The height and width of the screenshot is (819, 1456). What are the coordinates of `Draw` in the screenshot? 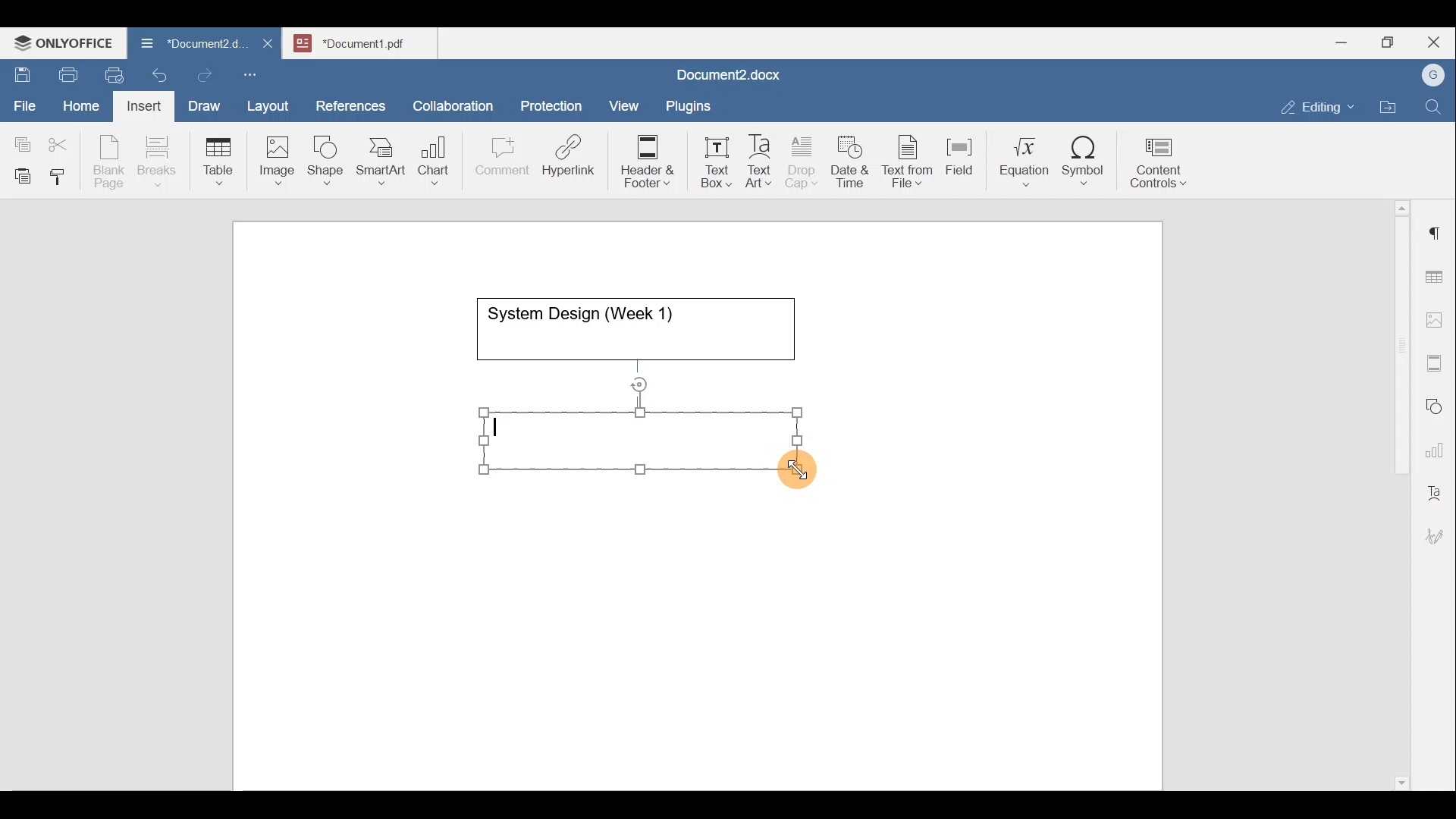 It's located at (202, 102).